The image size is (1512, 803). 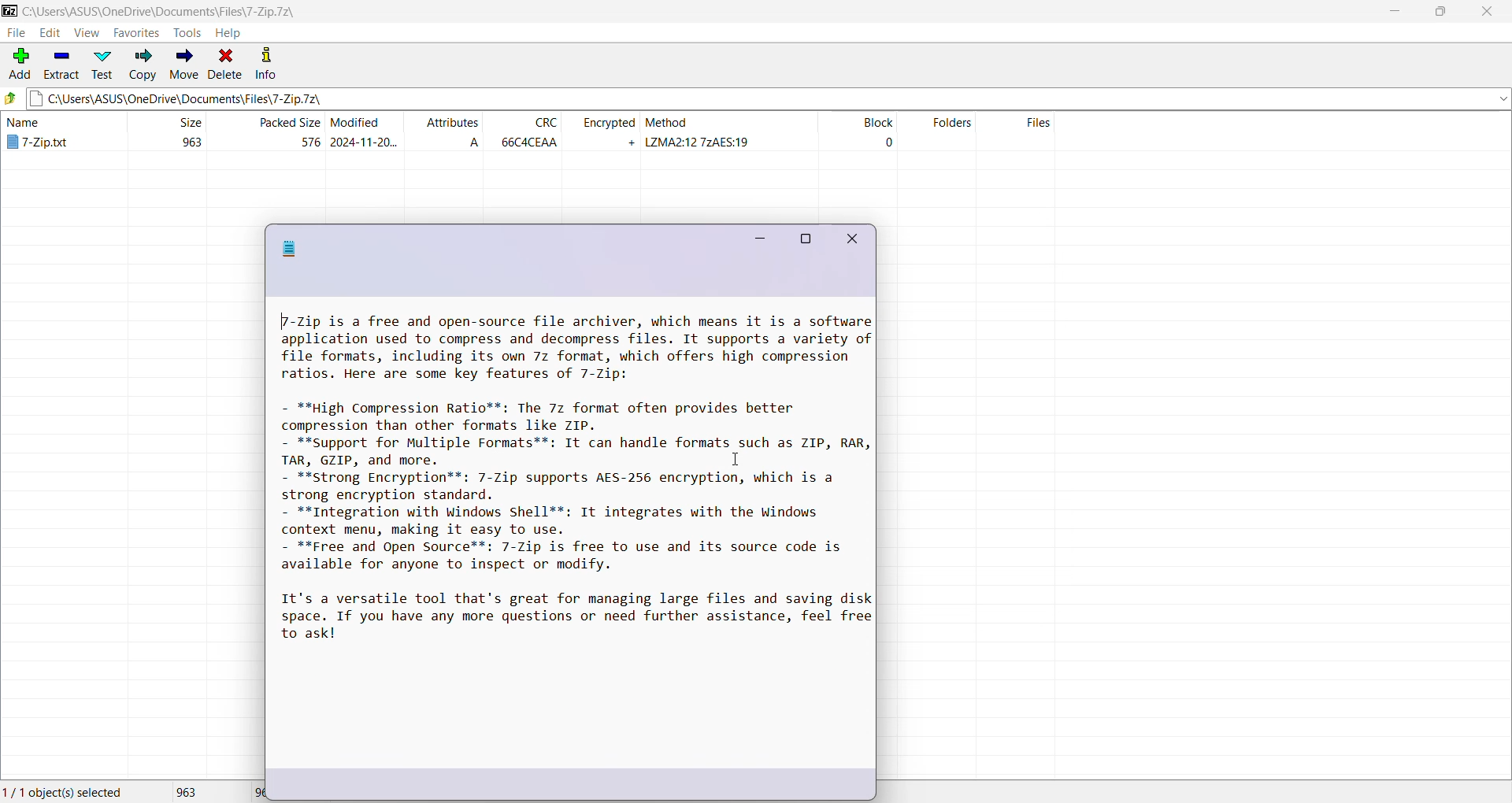 What do you see at coordinates (11, 98) in the screenshot?
I see `Move Up one level` at bounding box center [11, 98].